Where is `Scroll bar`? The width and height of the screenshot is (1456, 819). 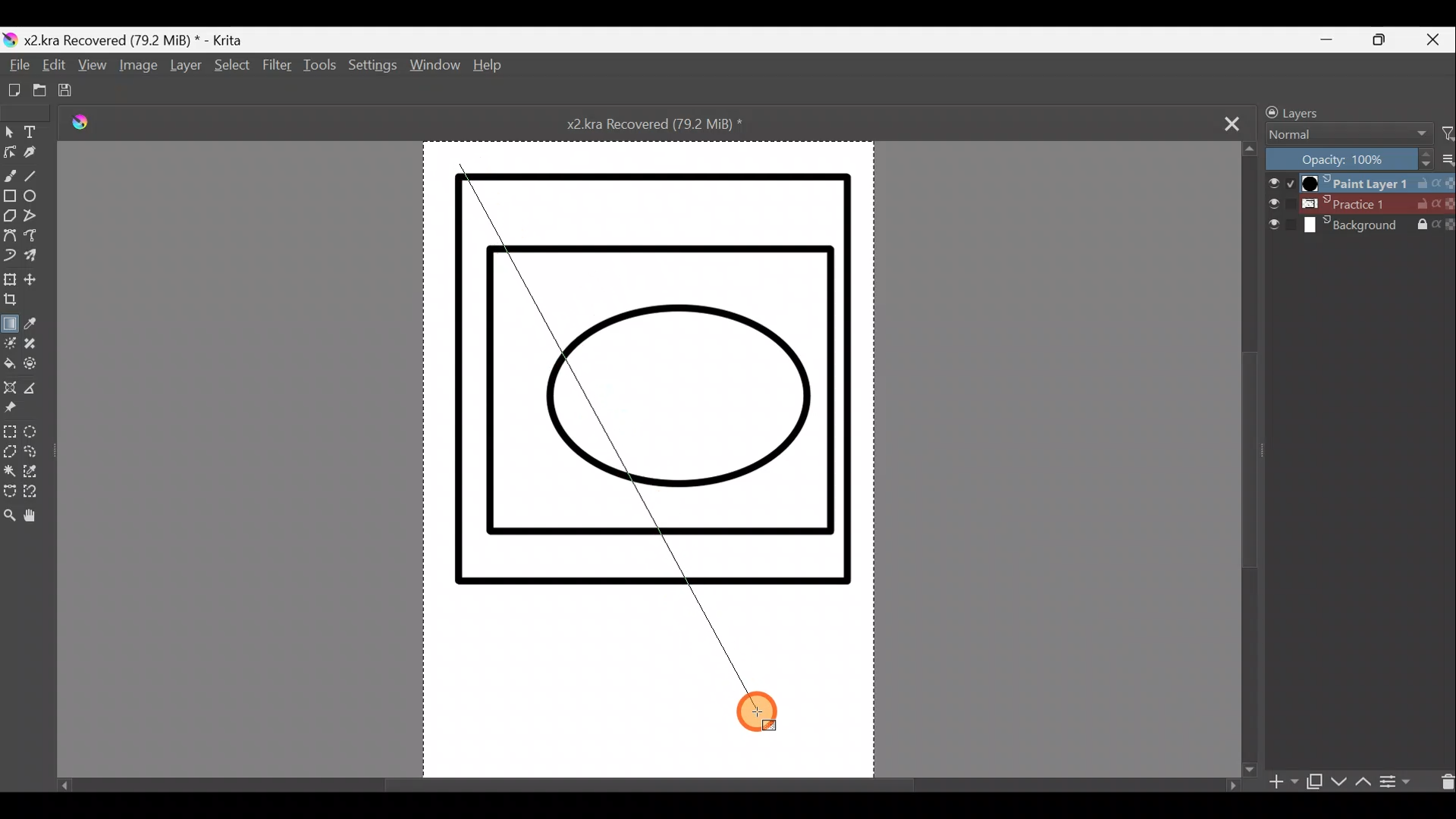
Scroll bar is located at coordinates (1250, 457).